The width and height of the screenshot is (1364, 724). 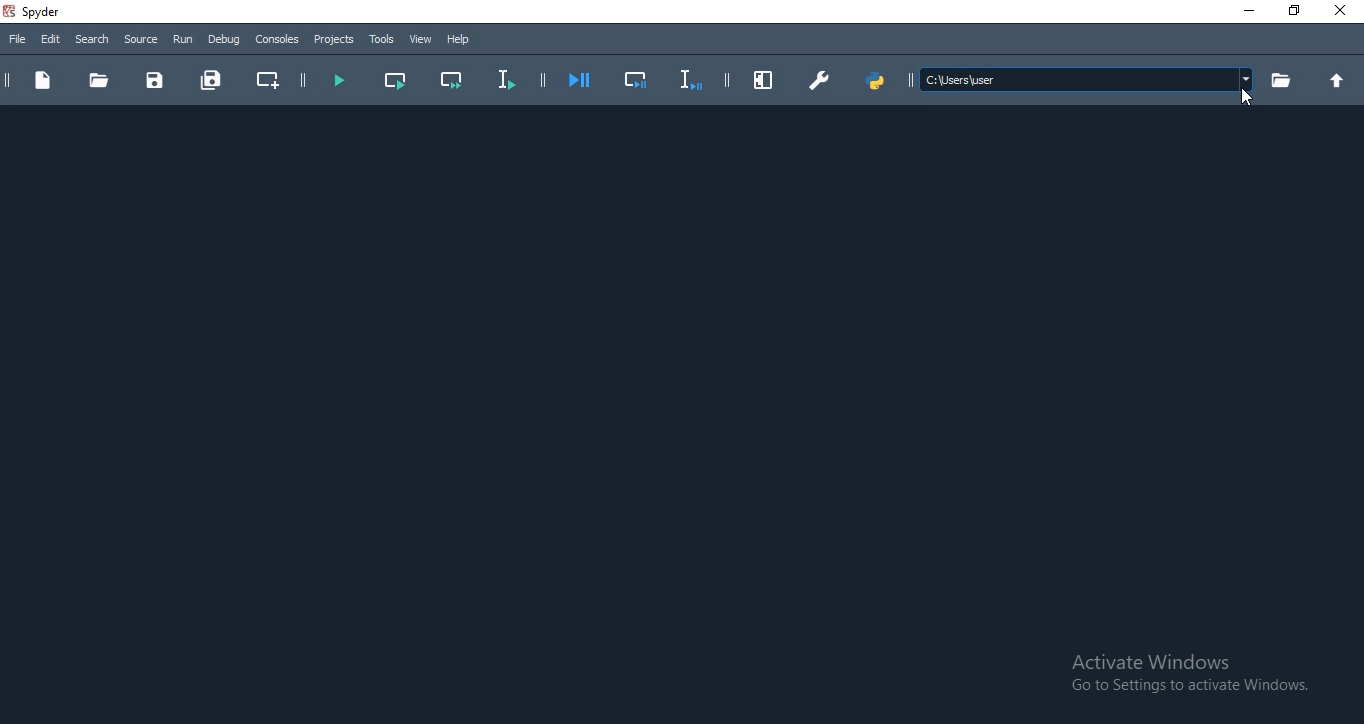 I want to click on save all, so click(x=210, y=77).